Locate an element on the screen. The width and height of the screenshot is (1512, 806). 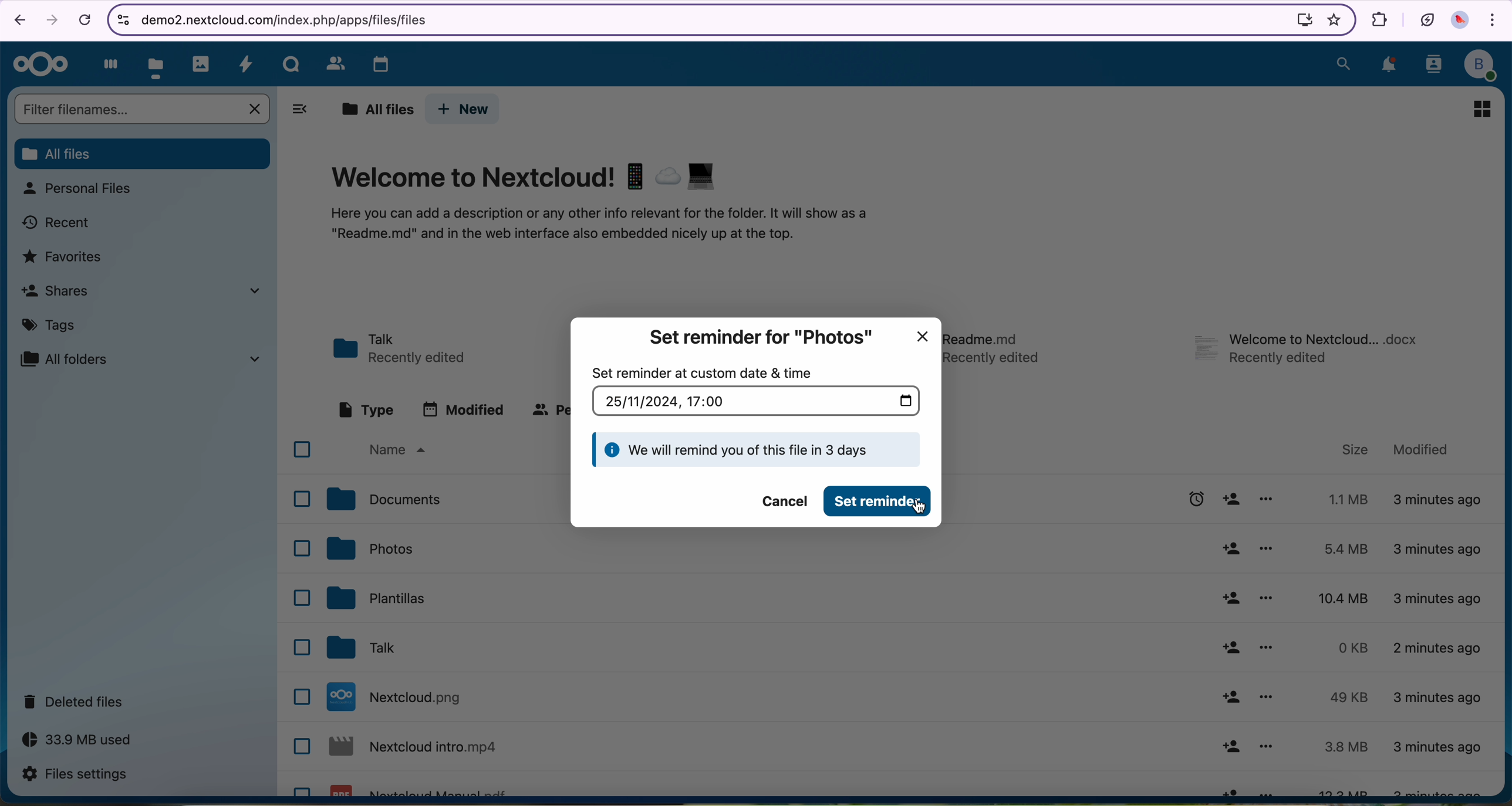
navigate back is located at coordinates (17, 22).